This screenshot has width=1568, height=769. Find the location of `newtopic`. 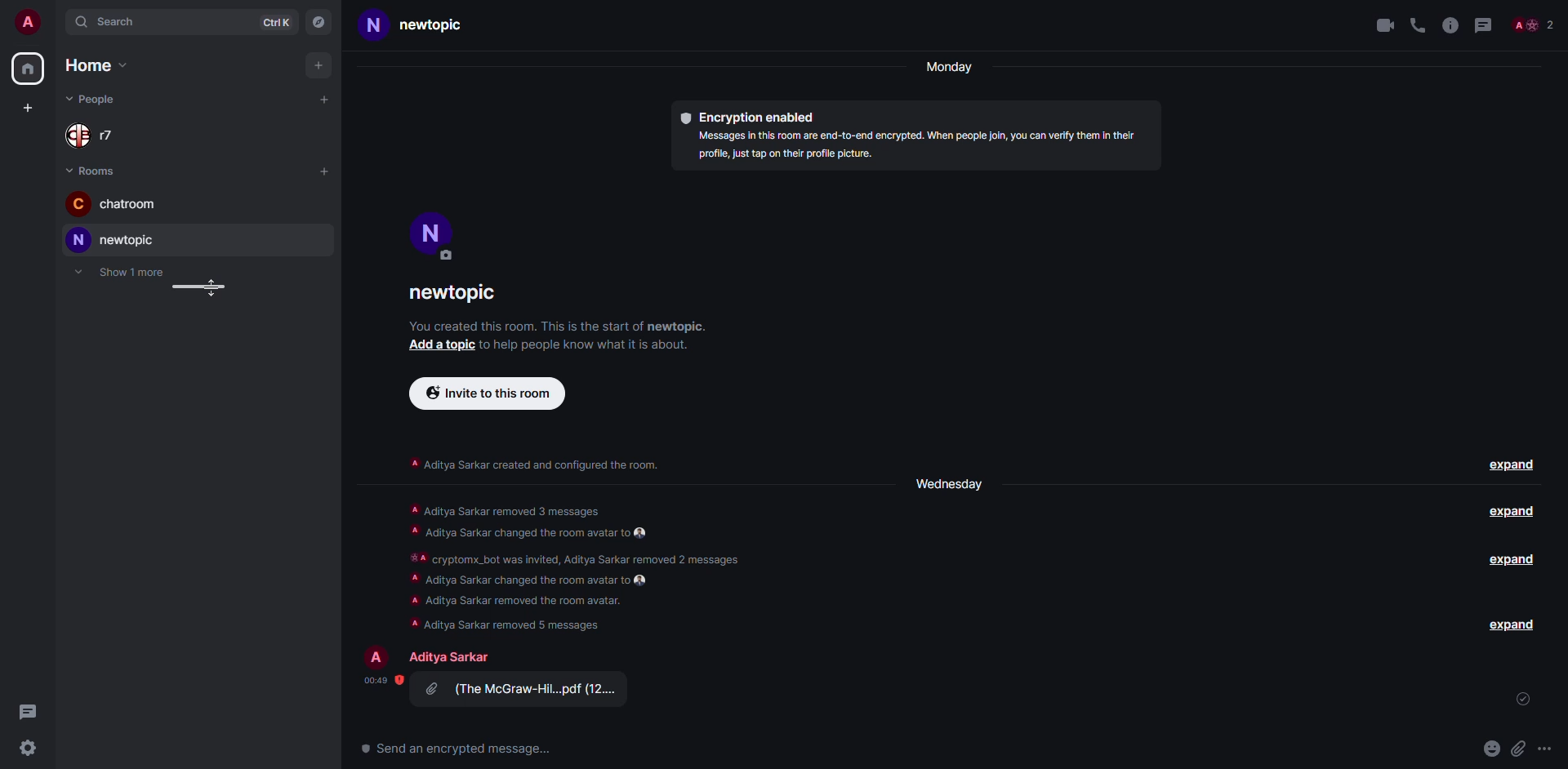

newtopic is located at coordinates (454, 295).